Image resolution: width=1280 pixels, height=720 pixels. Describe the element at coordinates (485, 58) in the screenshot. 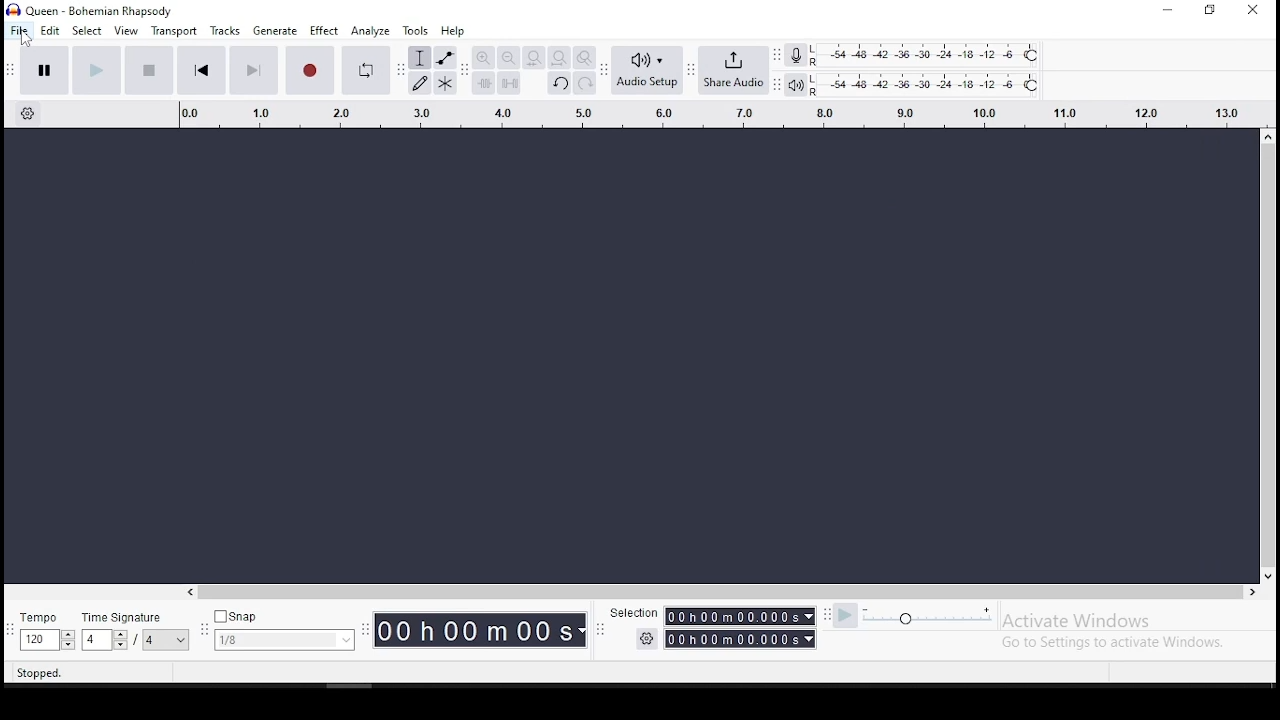

I see `zoom in` at that location.